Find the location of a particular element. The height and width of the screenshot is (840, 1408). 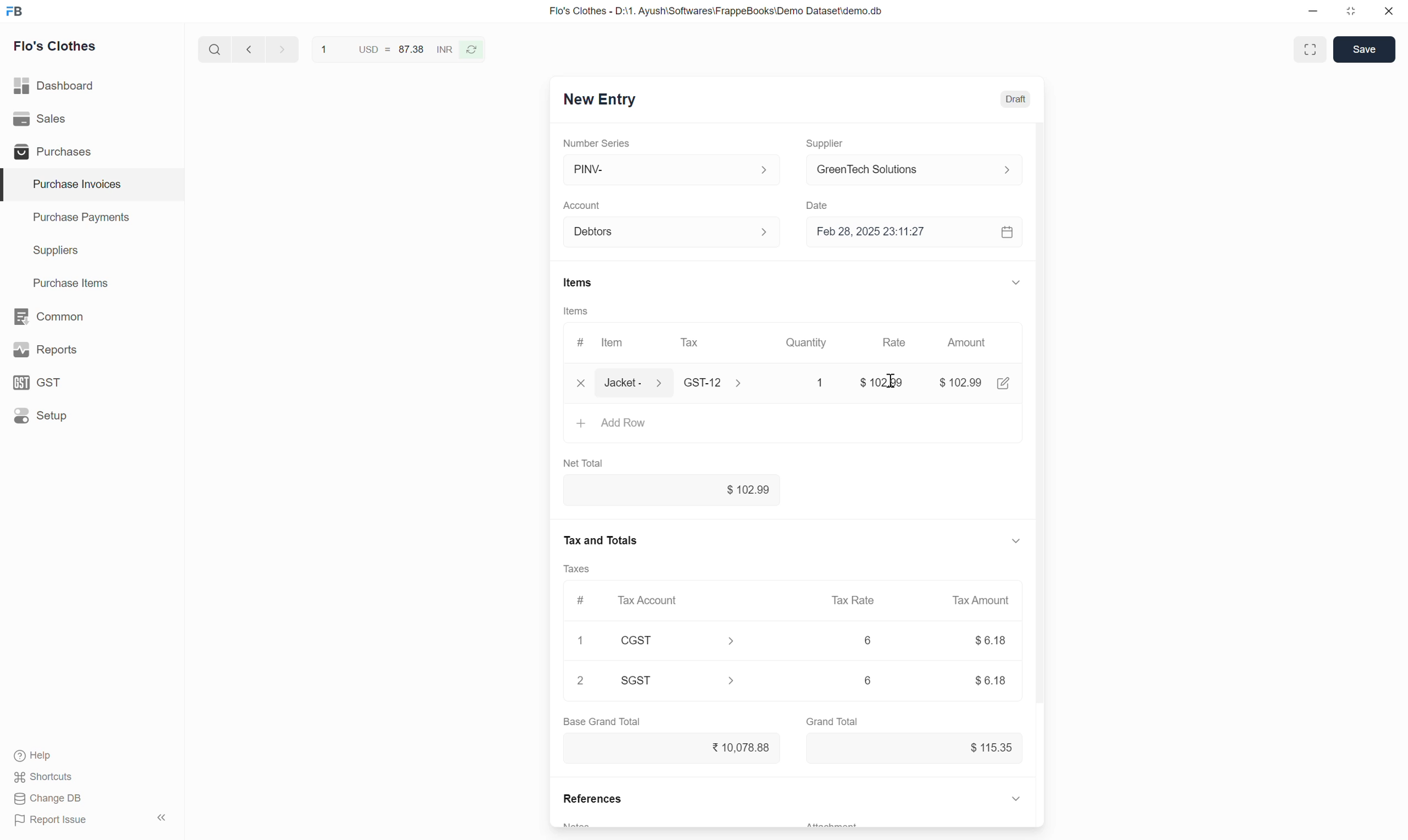

Jacket - is located at coordinates (636, 383).